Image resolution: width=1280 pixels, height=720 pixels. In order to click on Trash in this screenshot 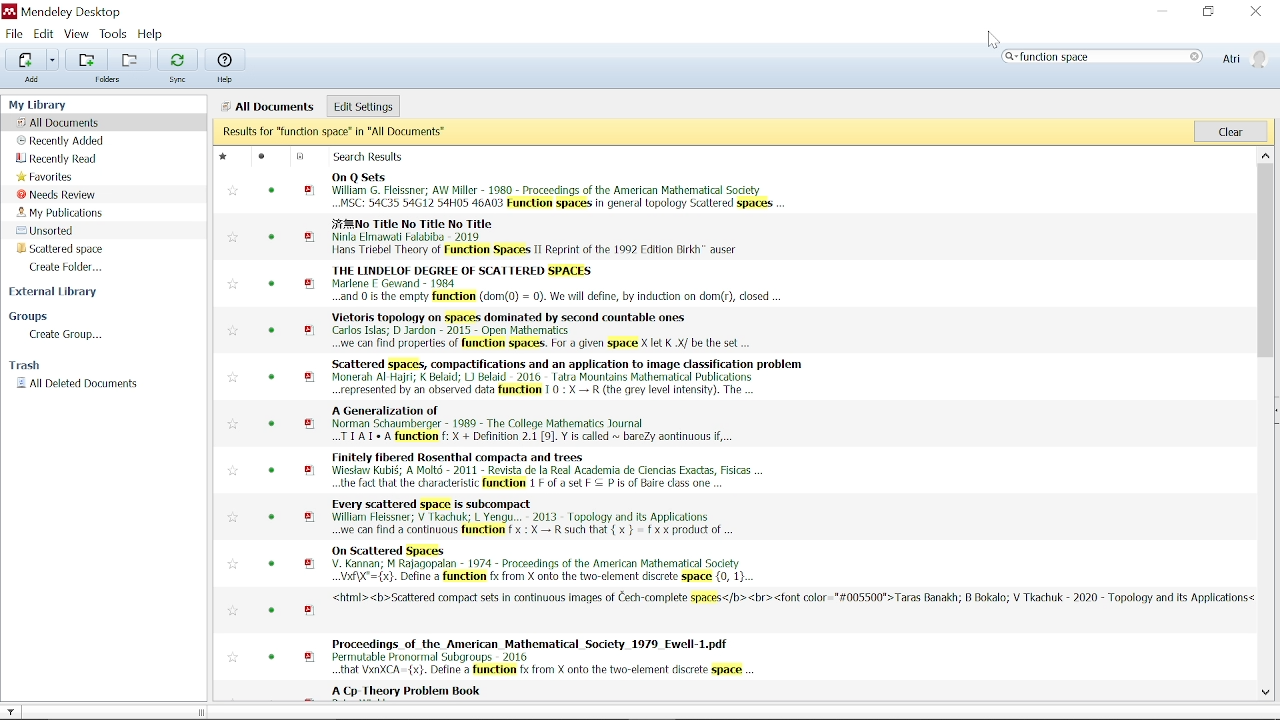, I will do `click(37, 365)`.